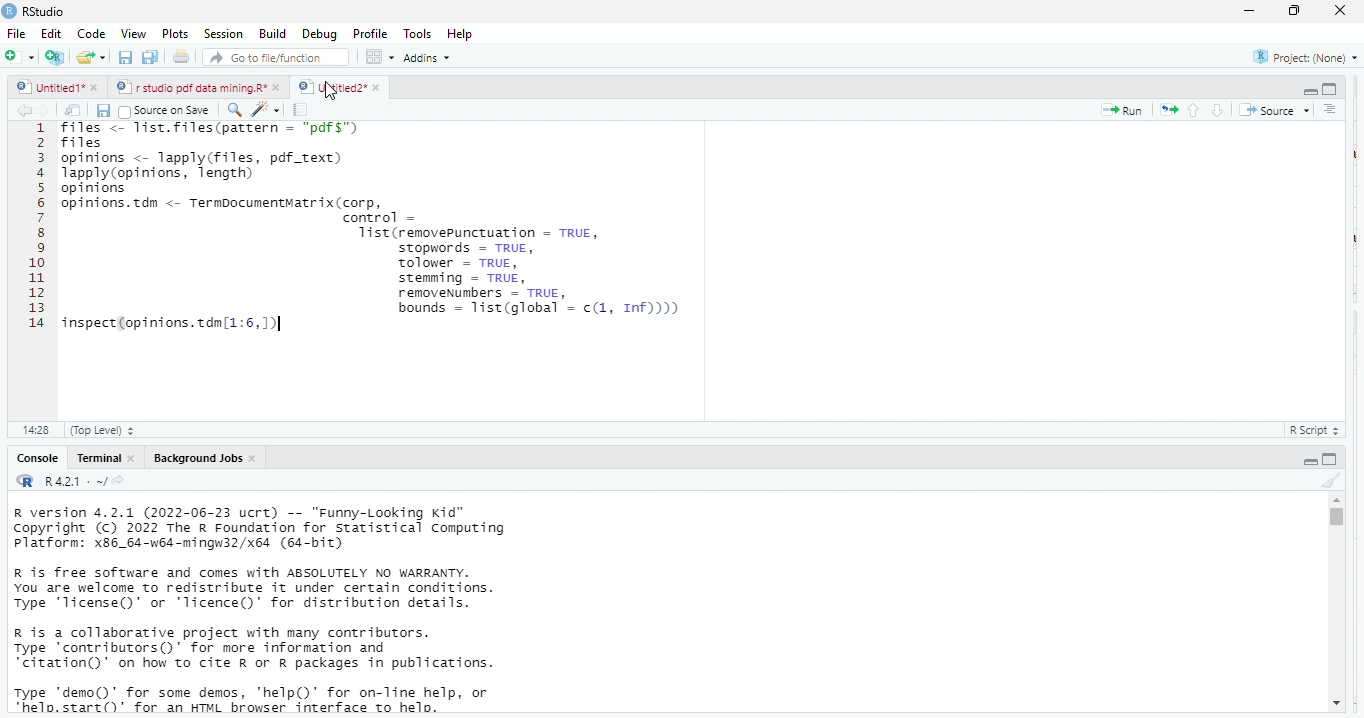 Image resolution: width=1364 pixels, height=718 pixels. I want to click on close, so click(376, 87).